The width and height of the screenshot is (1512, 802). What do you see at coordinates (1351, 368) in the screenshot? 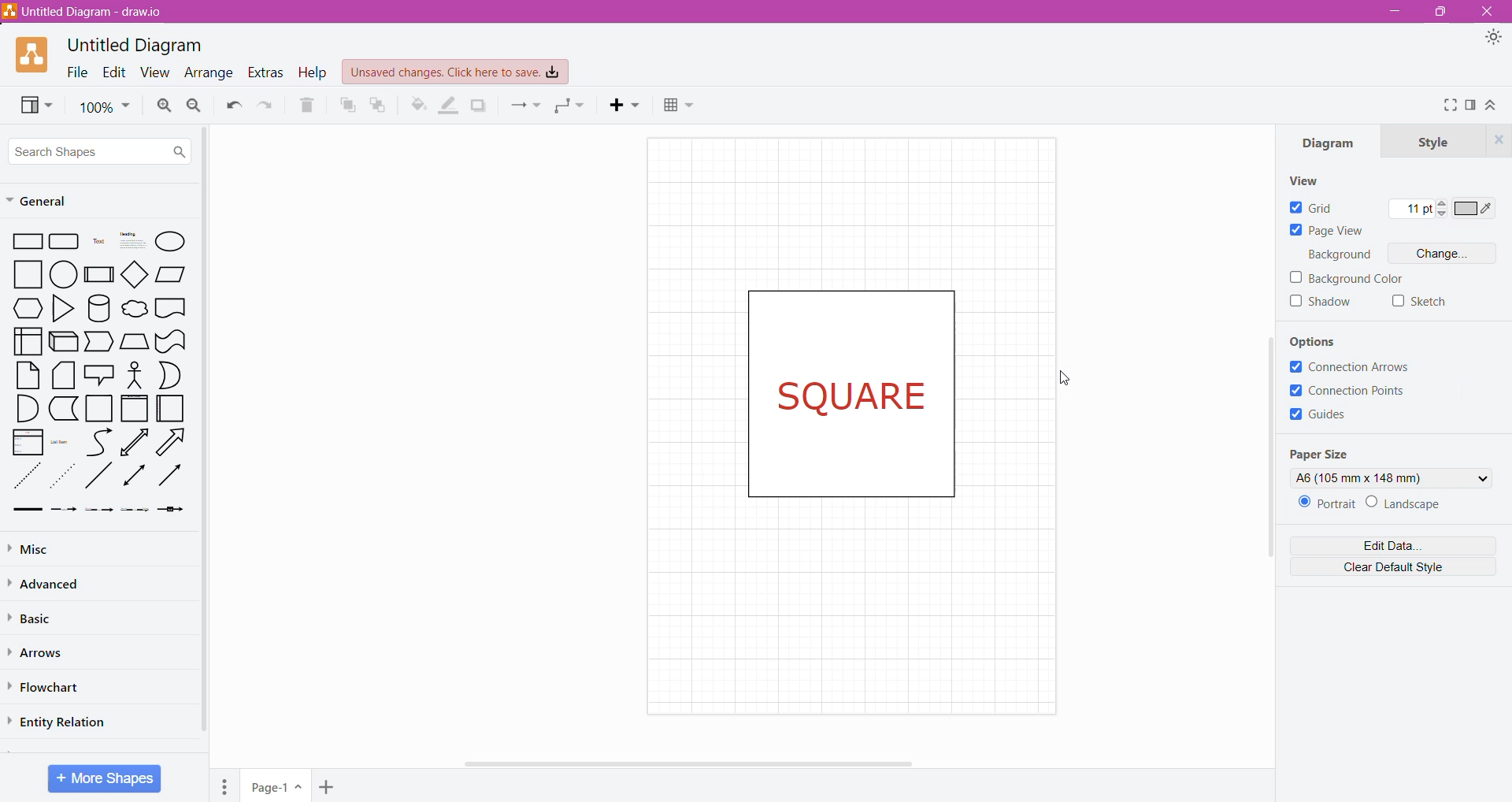
I see `Connection Arrows - Click to enable/disable` at bounding box center [1351, 368].